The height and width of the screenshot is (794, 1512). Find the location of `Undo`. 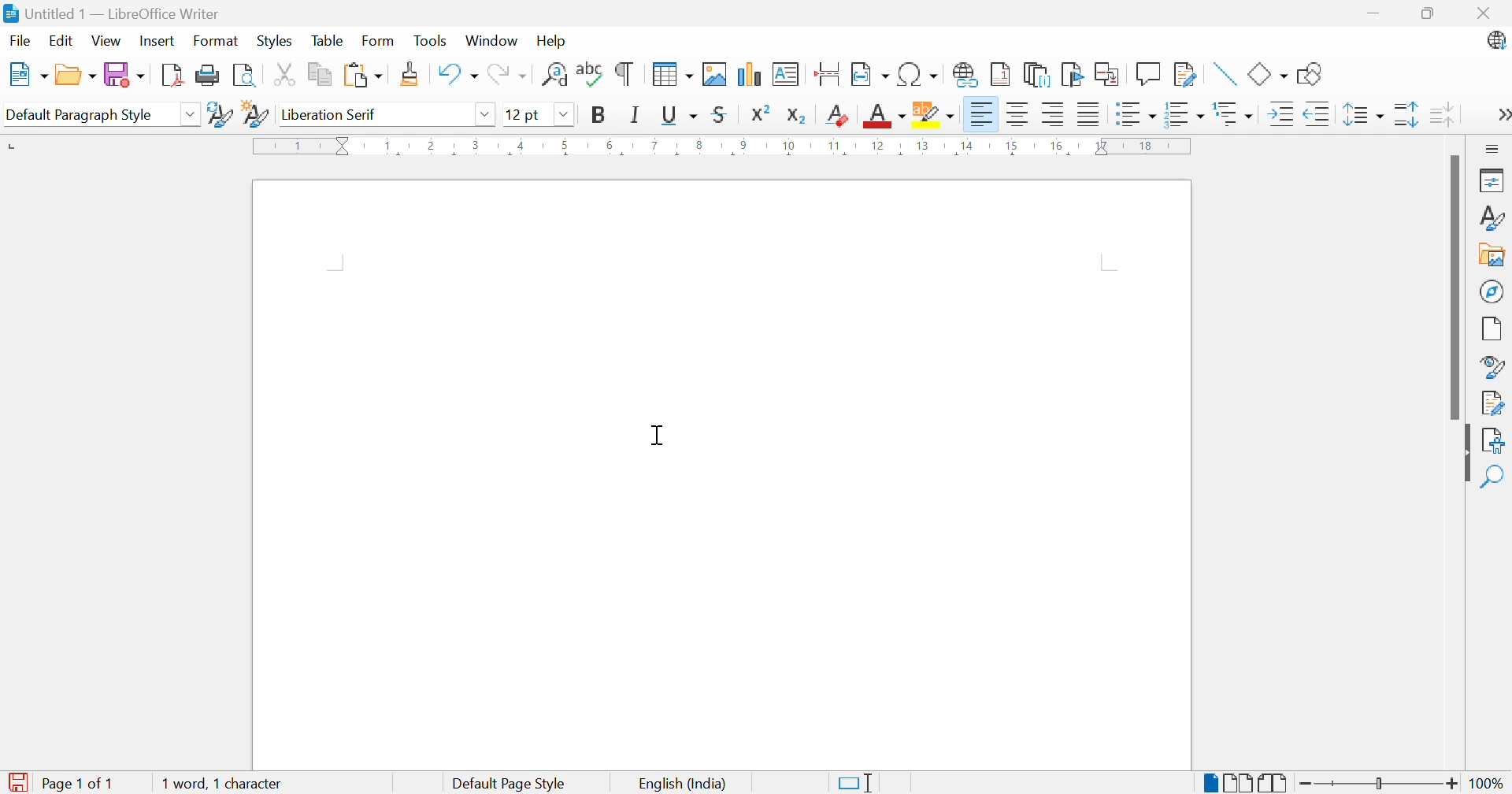

Undo is located at coordinates (458, 73).